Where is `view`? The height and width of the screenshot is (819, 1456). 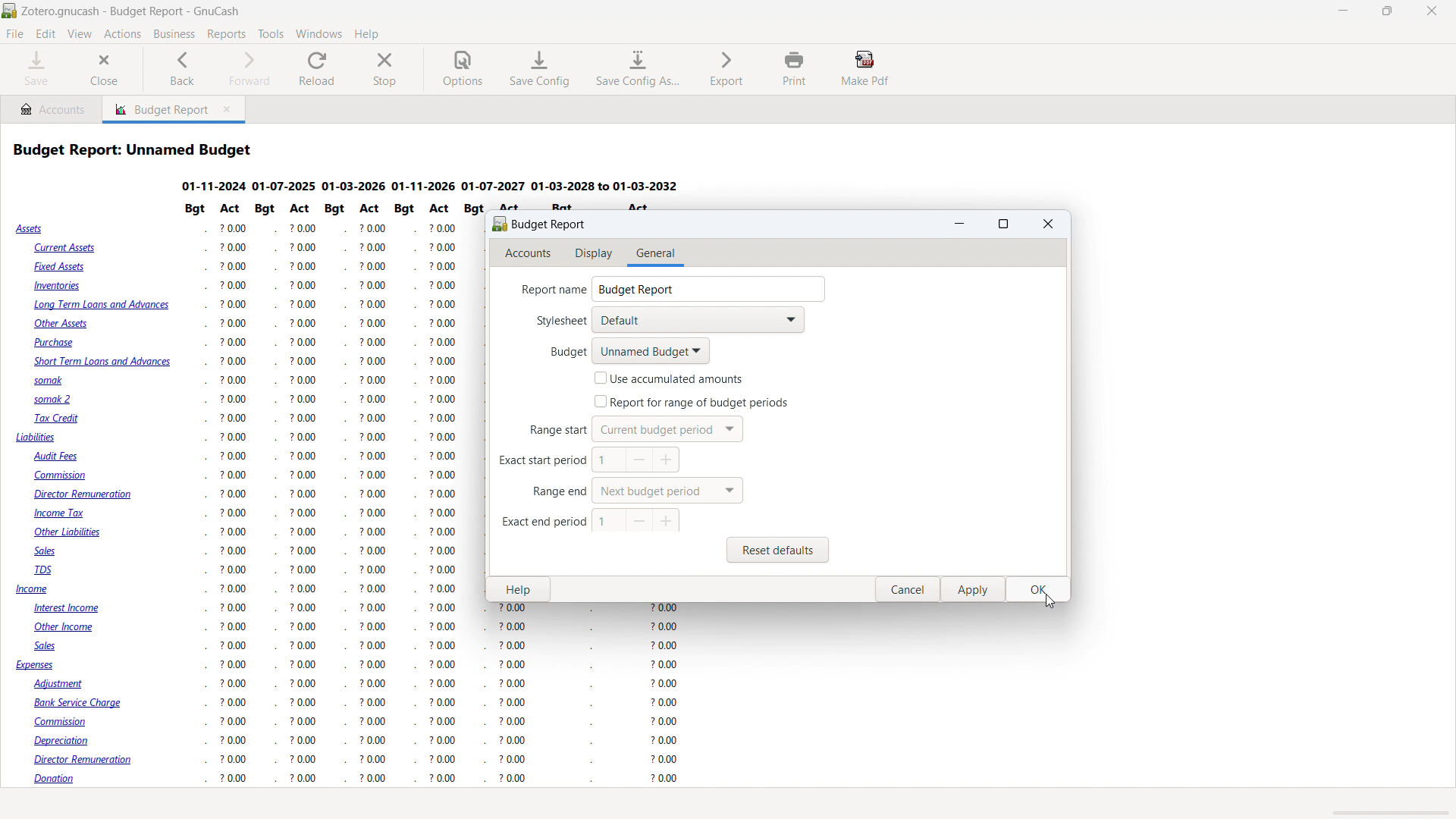
view is located at coordinates (80, 34).